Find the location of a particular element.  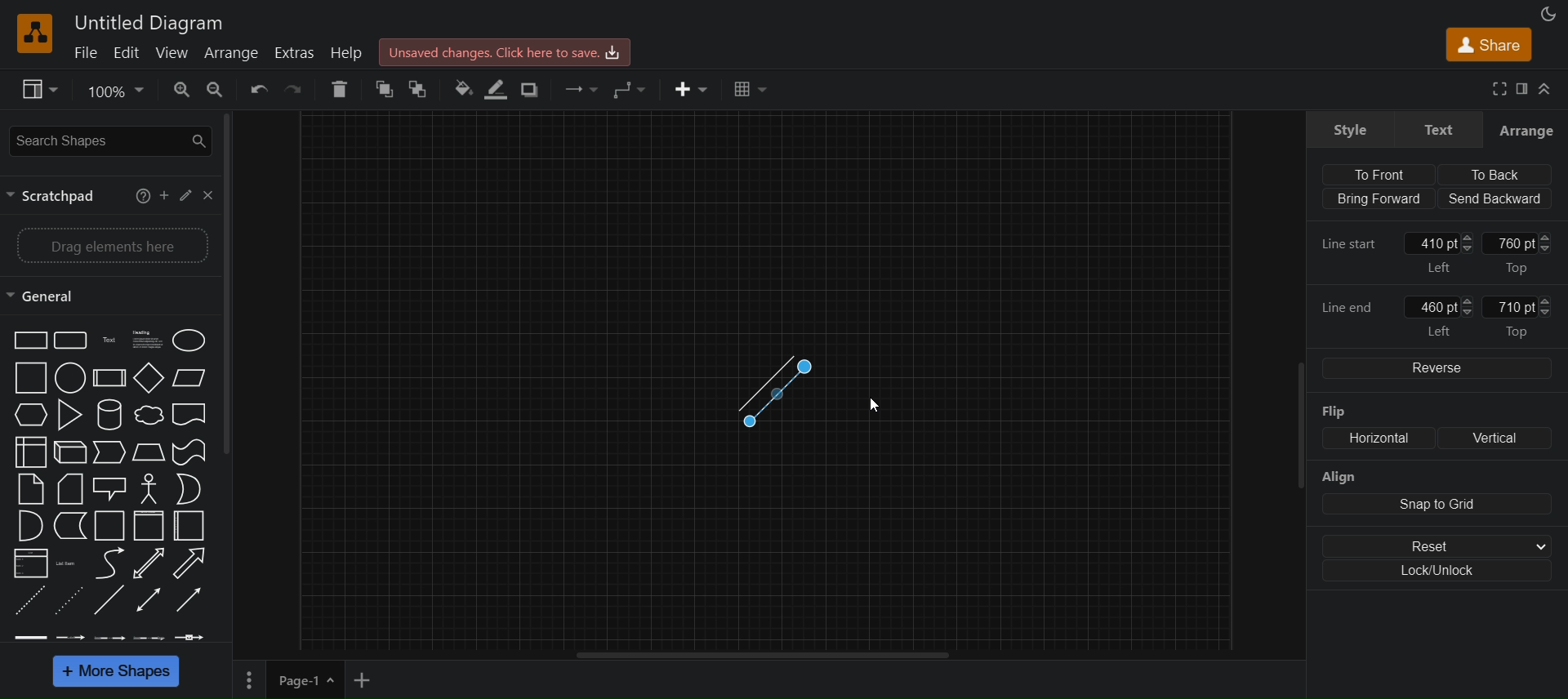

Curved line is located at coordinates (106, 563).